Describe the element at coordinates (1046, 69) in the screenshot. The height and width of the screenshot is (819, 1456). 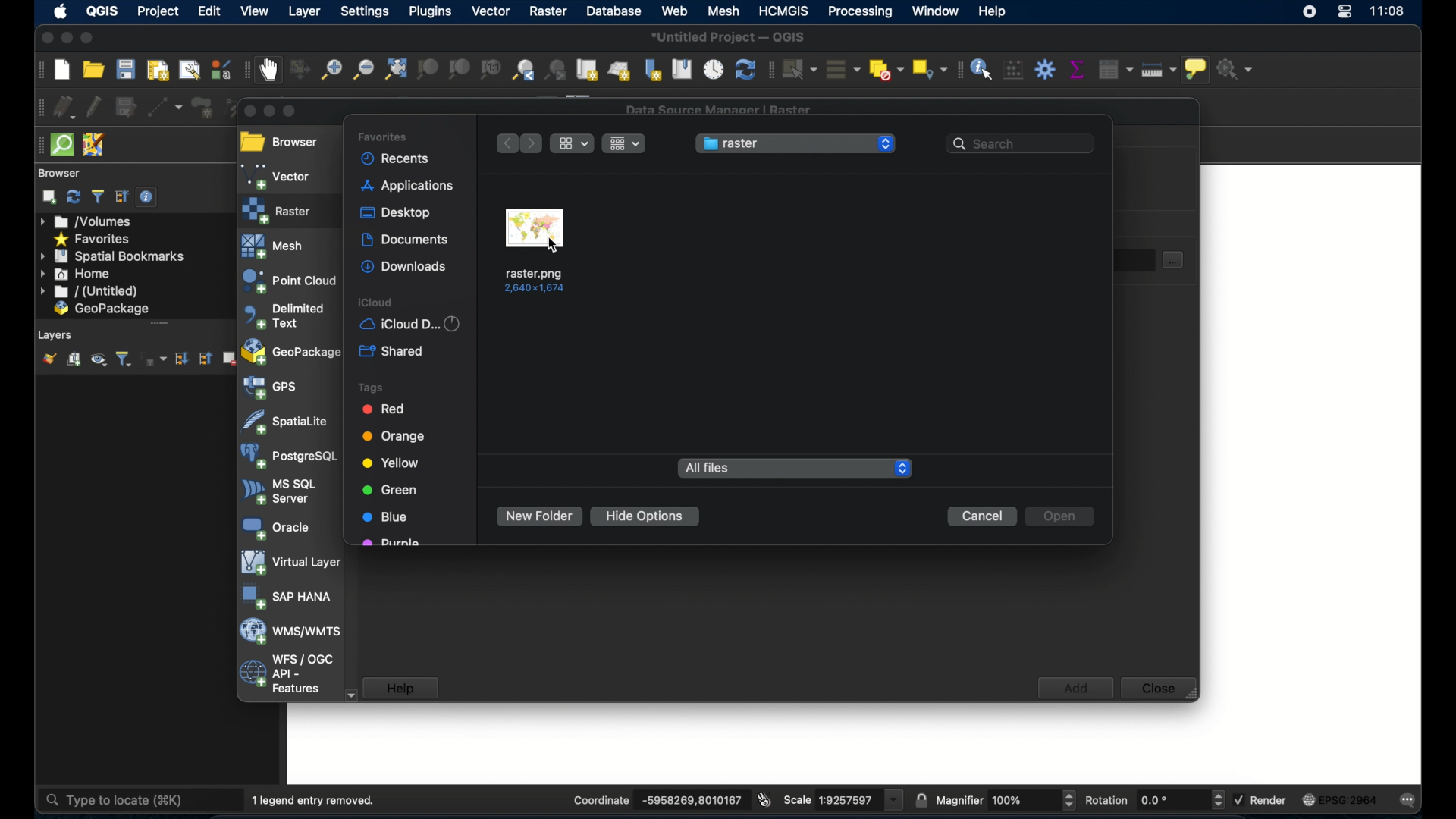
I see `toolbox` at that location.